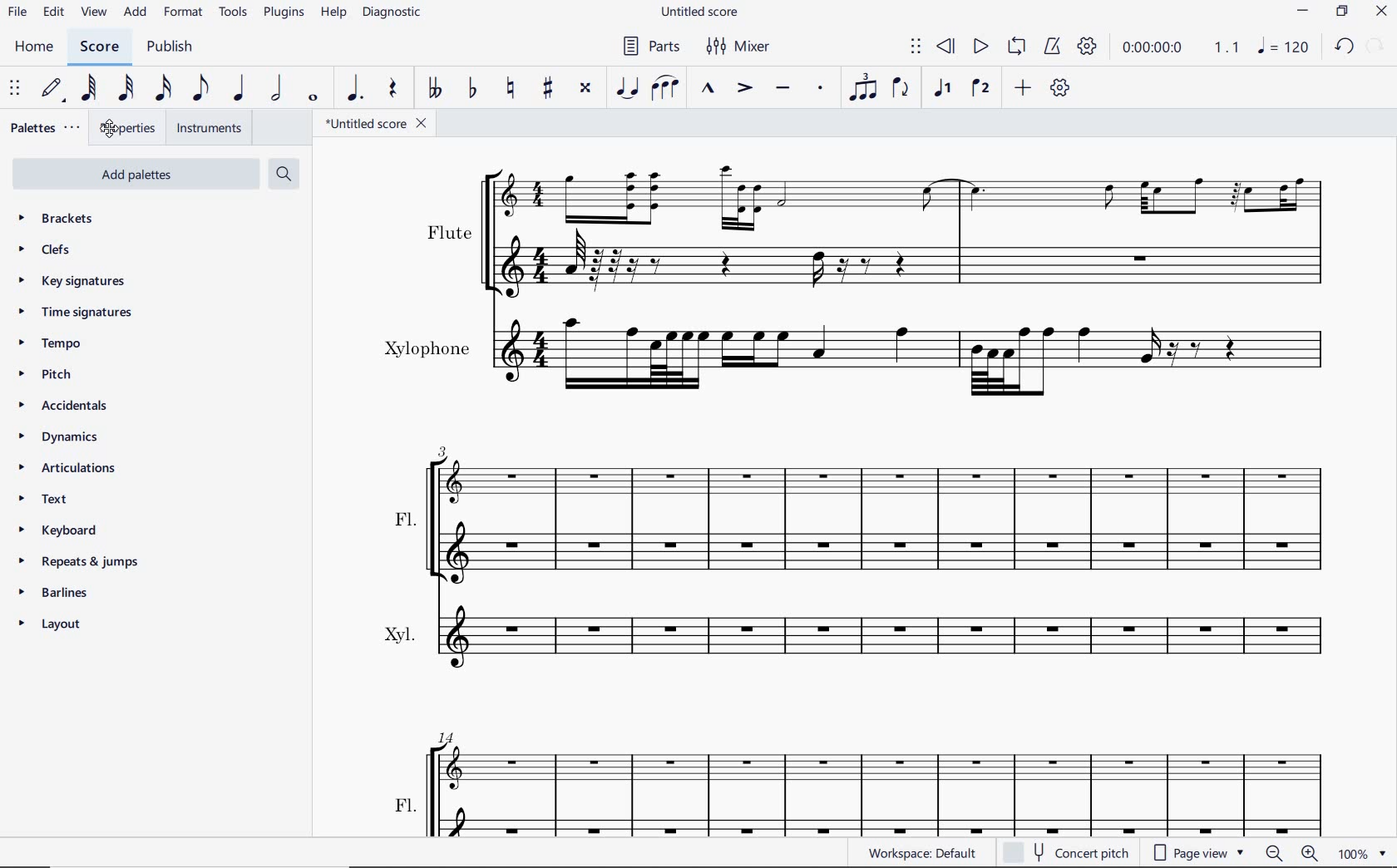 This screenshot has width=1397, height=868. I want to click on QUARTER NOTE, so click(239, 88).